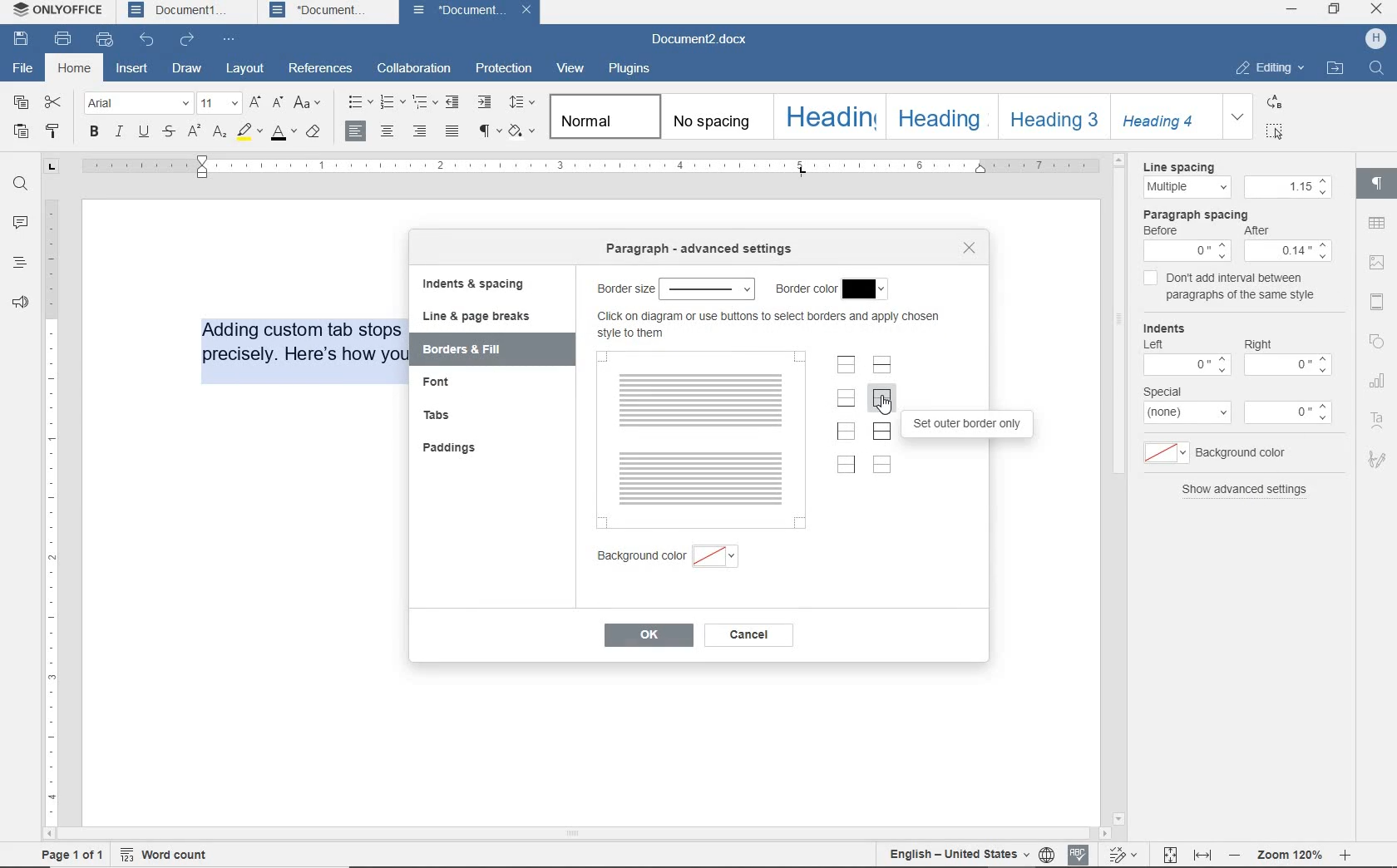 This screenshot has height=868, width=1397. Describe the element at coordinates (1267, 69) in the screenshot. I see `editing` at that location.